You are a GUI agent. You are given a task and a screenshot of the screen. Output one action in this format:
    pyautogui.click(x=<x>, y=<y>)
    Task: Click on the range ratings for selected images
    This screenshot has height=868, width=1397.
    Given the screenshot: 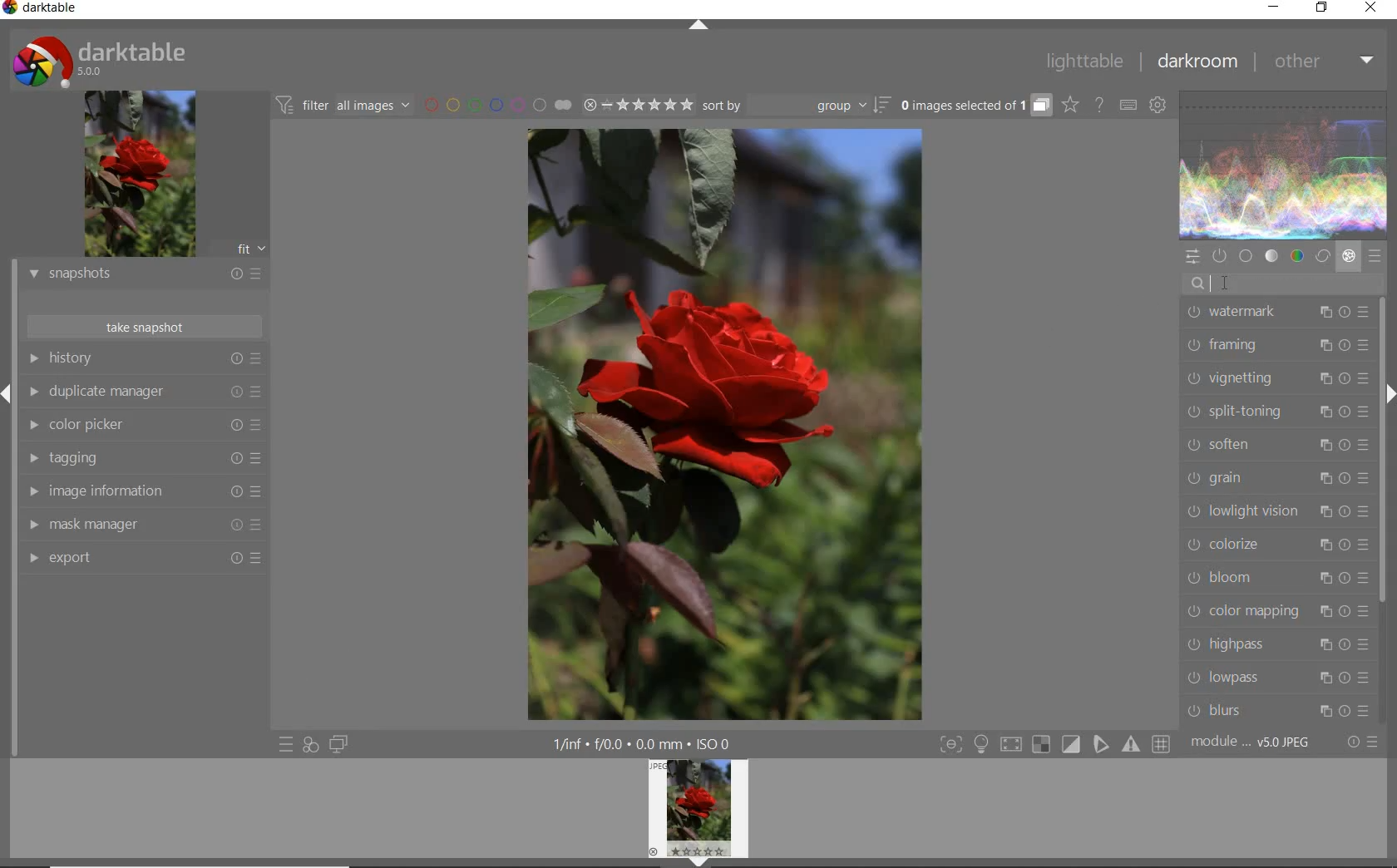 What is the action you would take?
    pyautogui.click(x=638, y=105)
    